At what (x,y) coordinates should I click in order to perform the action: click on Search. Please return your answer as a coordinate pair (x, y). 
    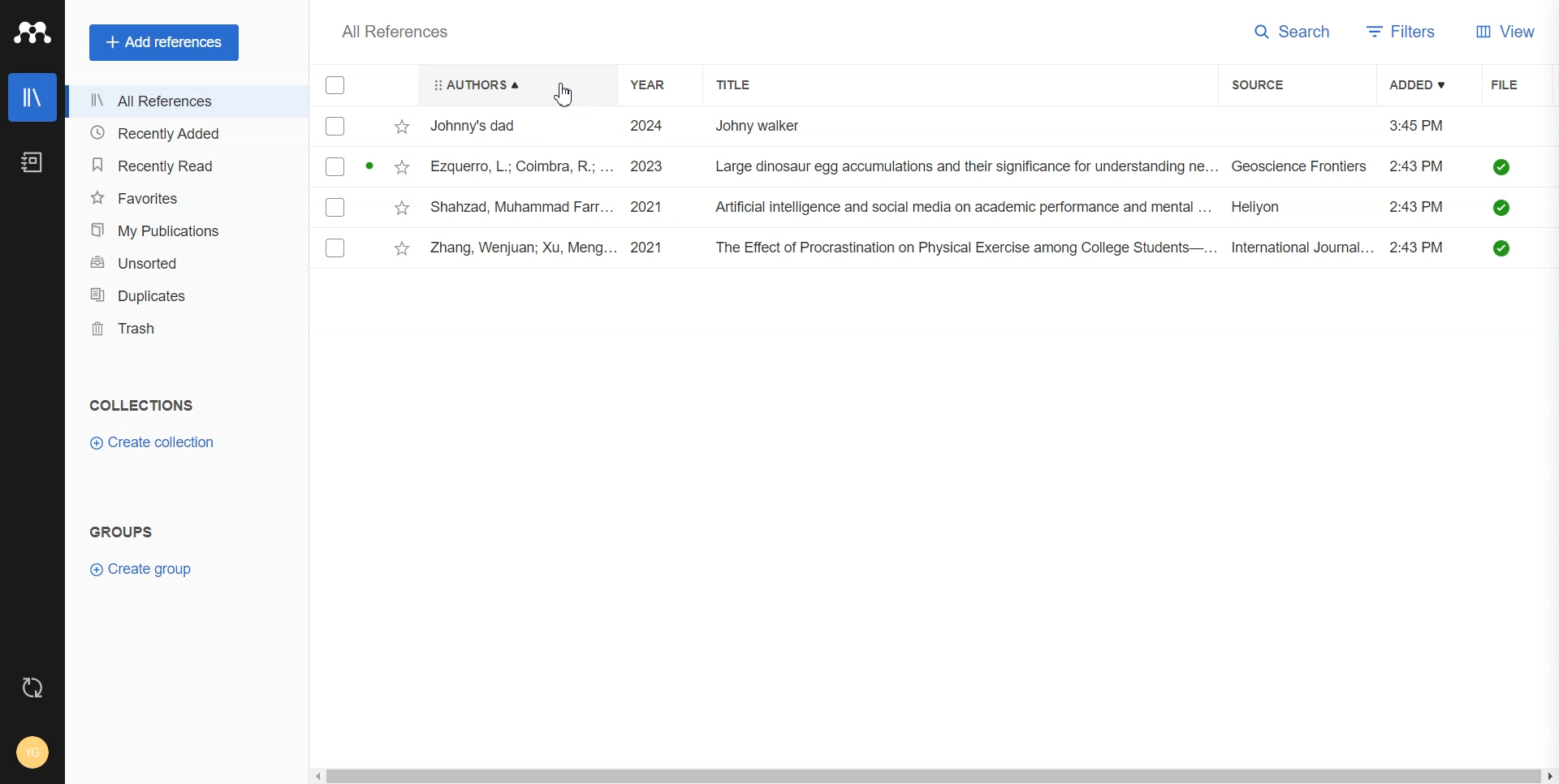
    Looking at the image, I should click on (1293, 32).